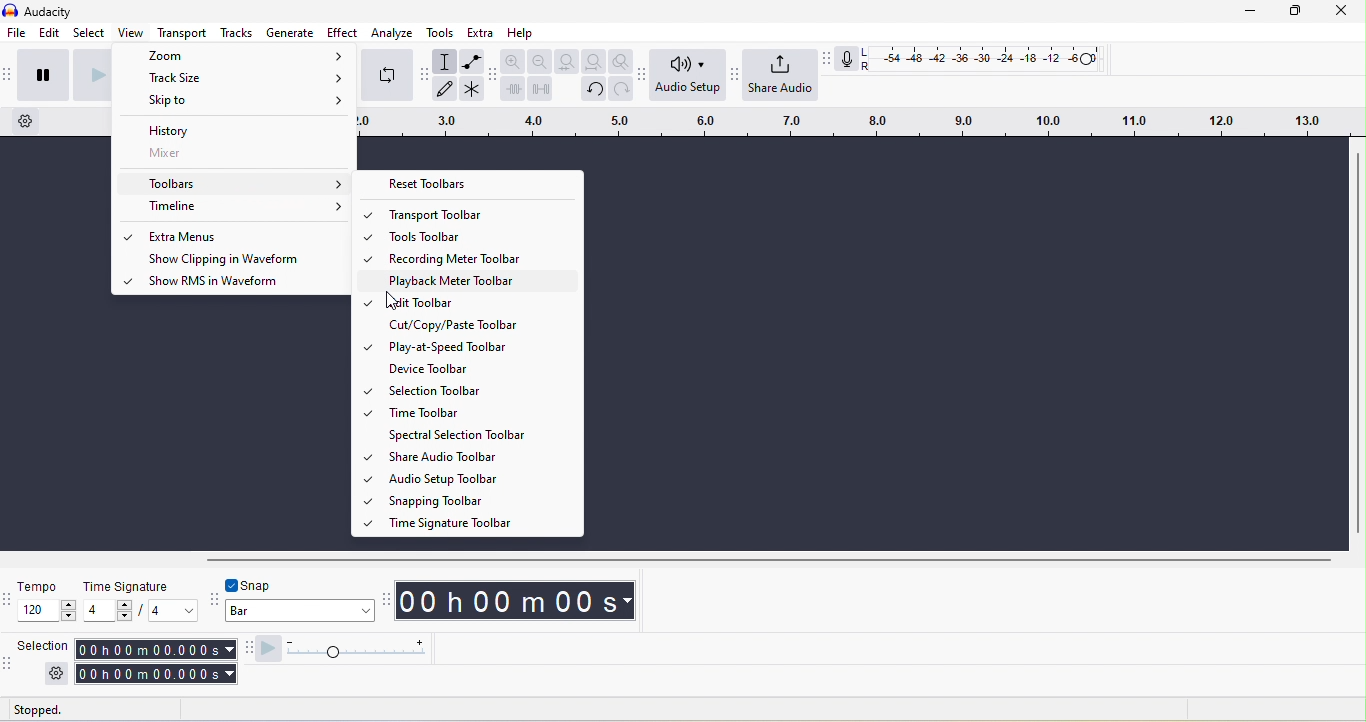  I want to click on audacity logo, so click(10, 10).